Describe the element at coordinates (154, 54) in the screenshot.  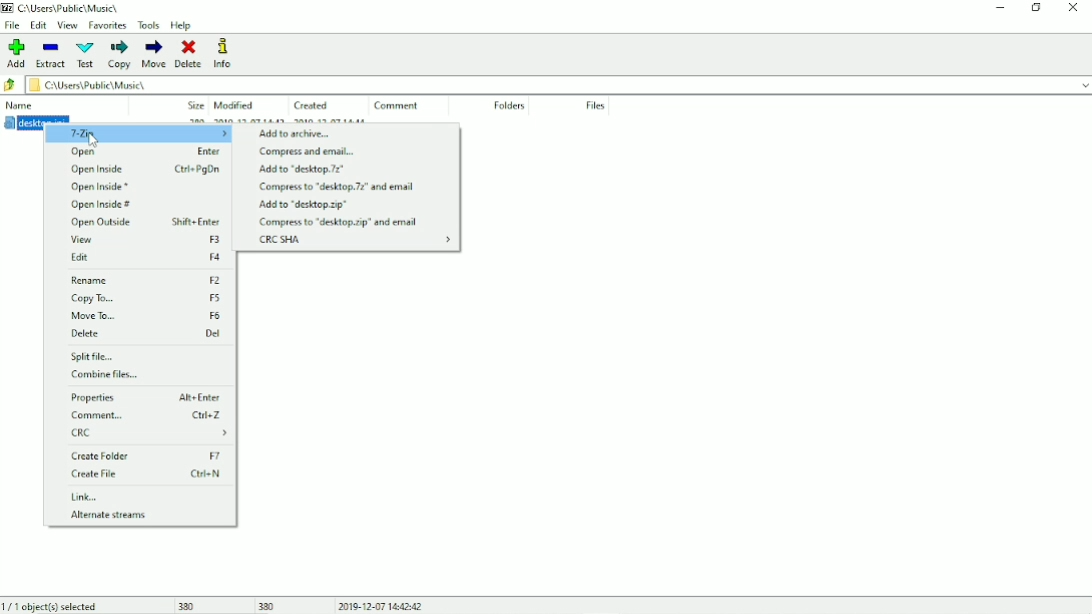
I see `Move` at that location.